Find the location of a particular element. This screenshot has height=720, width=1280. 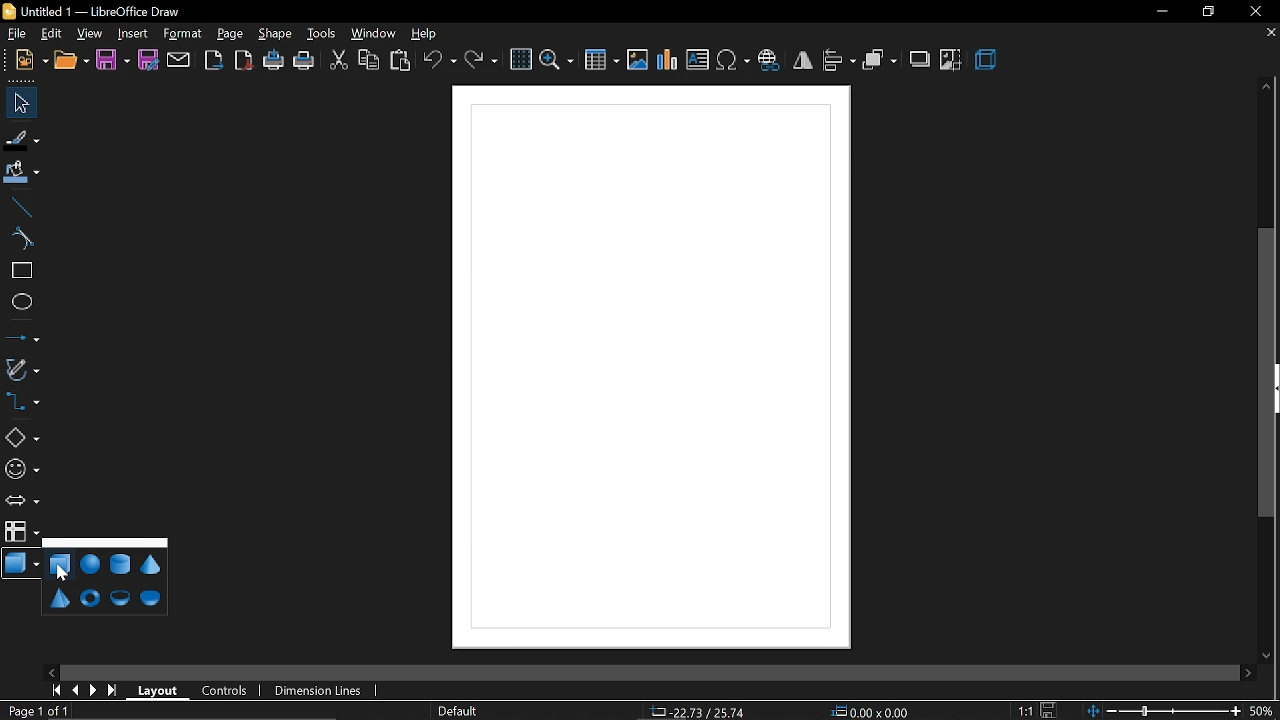

lines and arrow is located at coordinates (22, 337).